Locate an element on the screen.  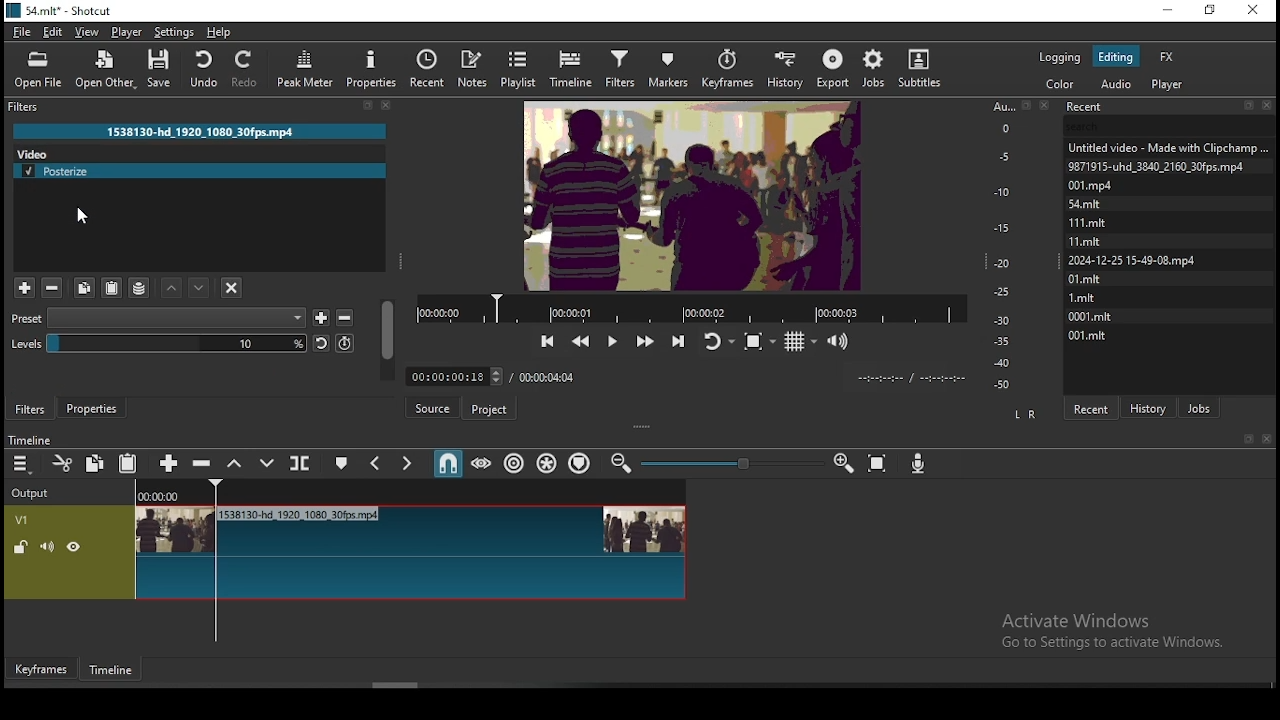
player is located at coordinates (125, 33).